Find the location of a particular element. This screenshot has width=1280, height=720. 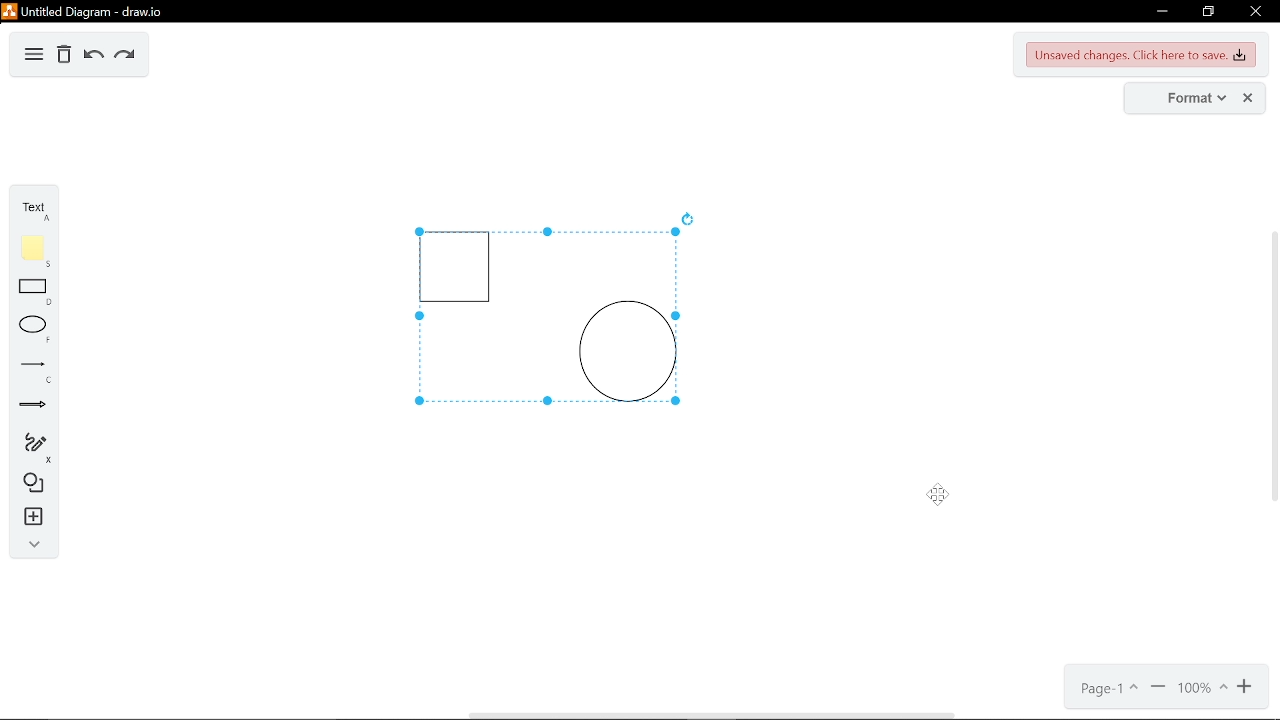

close is located at coordinates (1254, 11).